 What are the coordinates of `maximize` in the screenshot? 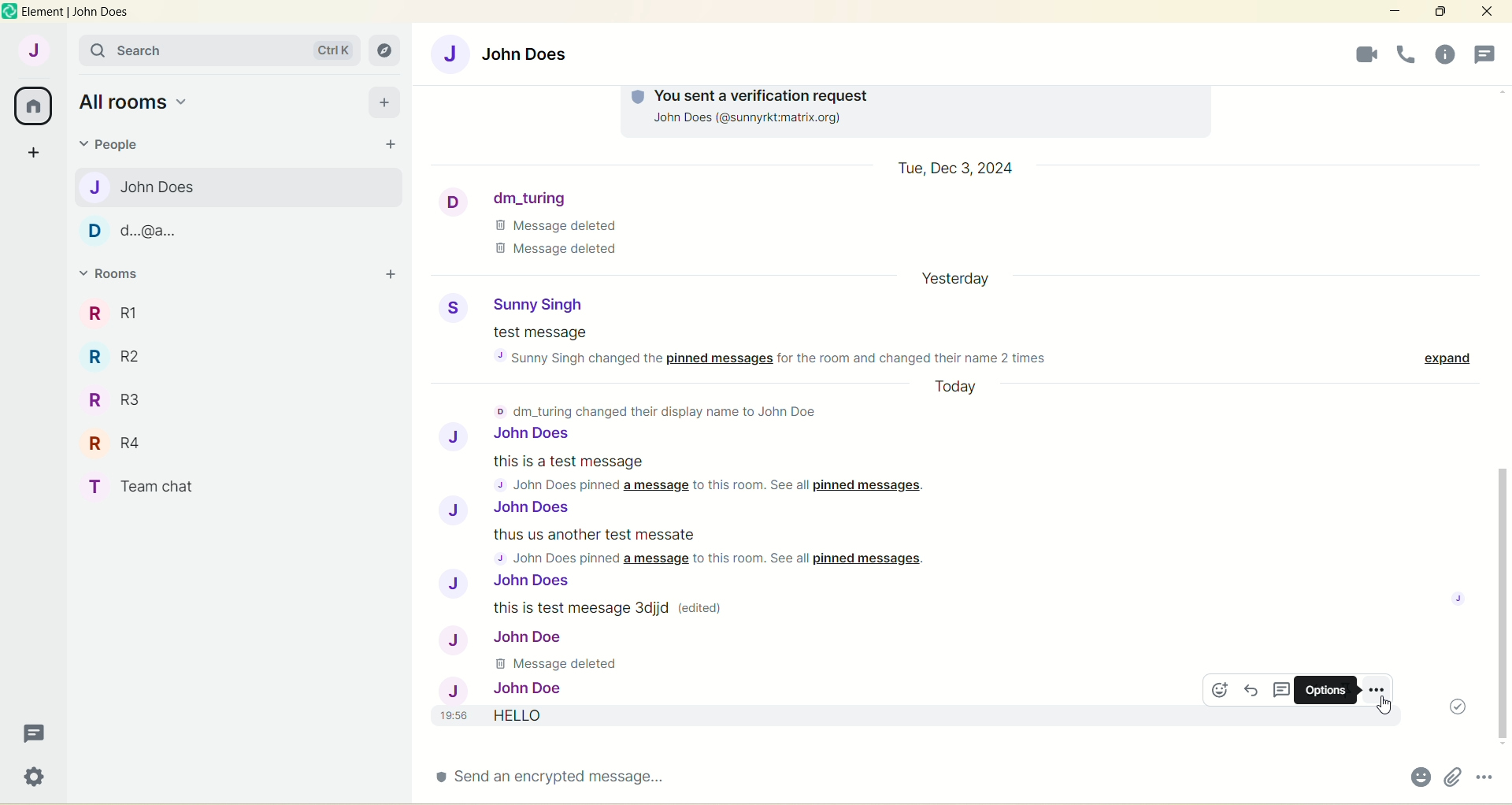 It's located at (1440, 12).